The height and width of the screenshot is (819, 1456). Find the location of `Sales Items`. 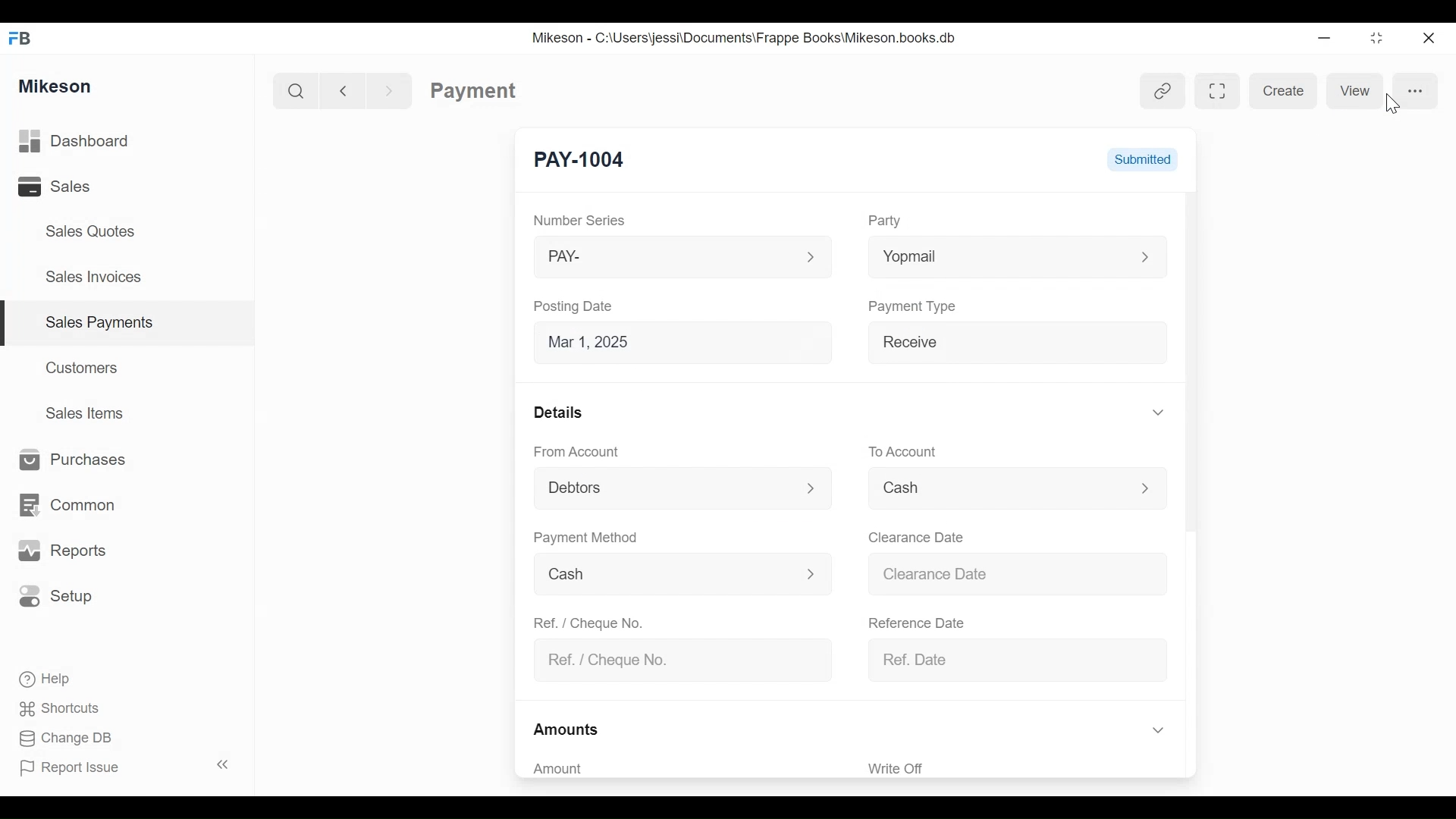

Sales Items is located at coordinates (92, 414).